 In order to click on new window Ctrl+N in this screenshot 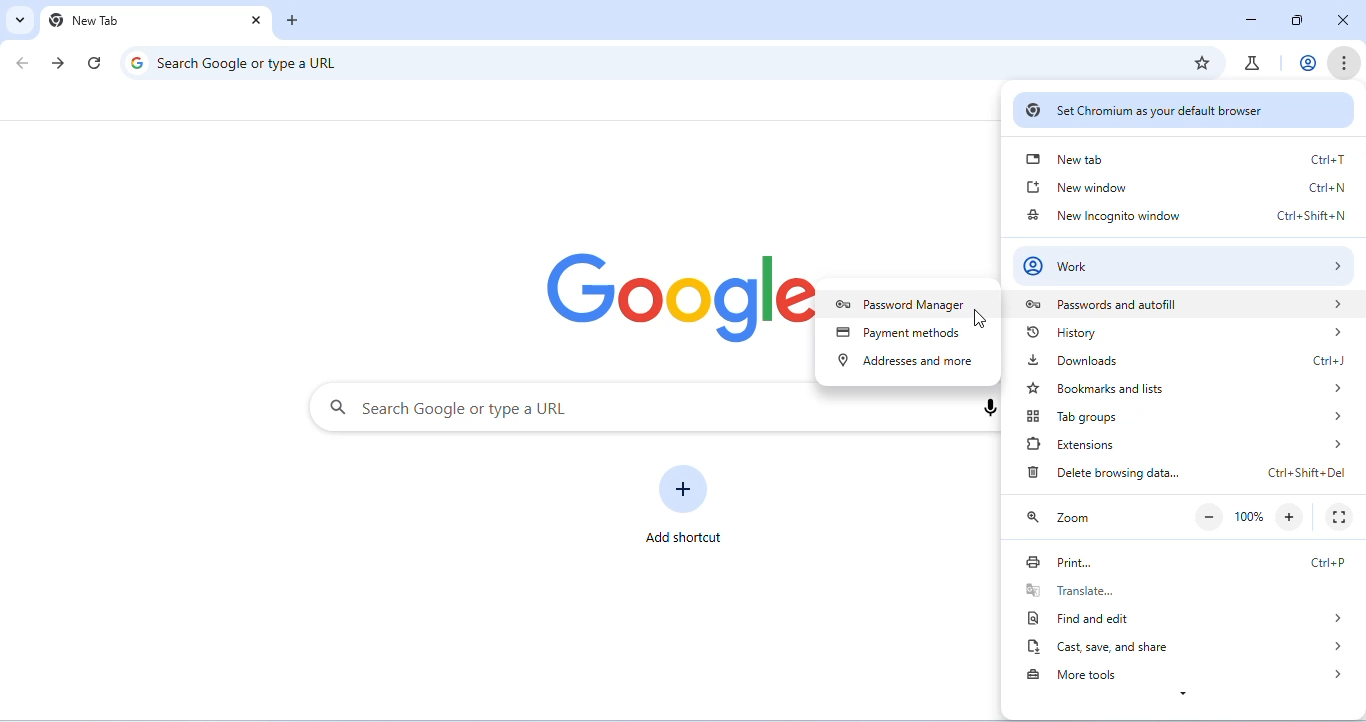, I will do `click(1189, 185)`.